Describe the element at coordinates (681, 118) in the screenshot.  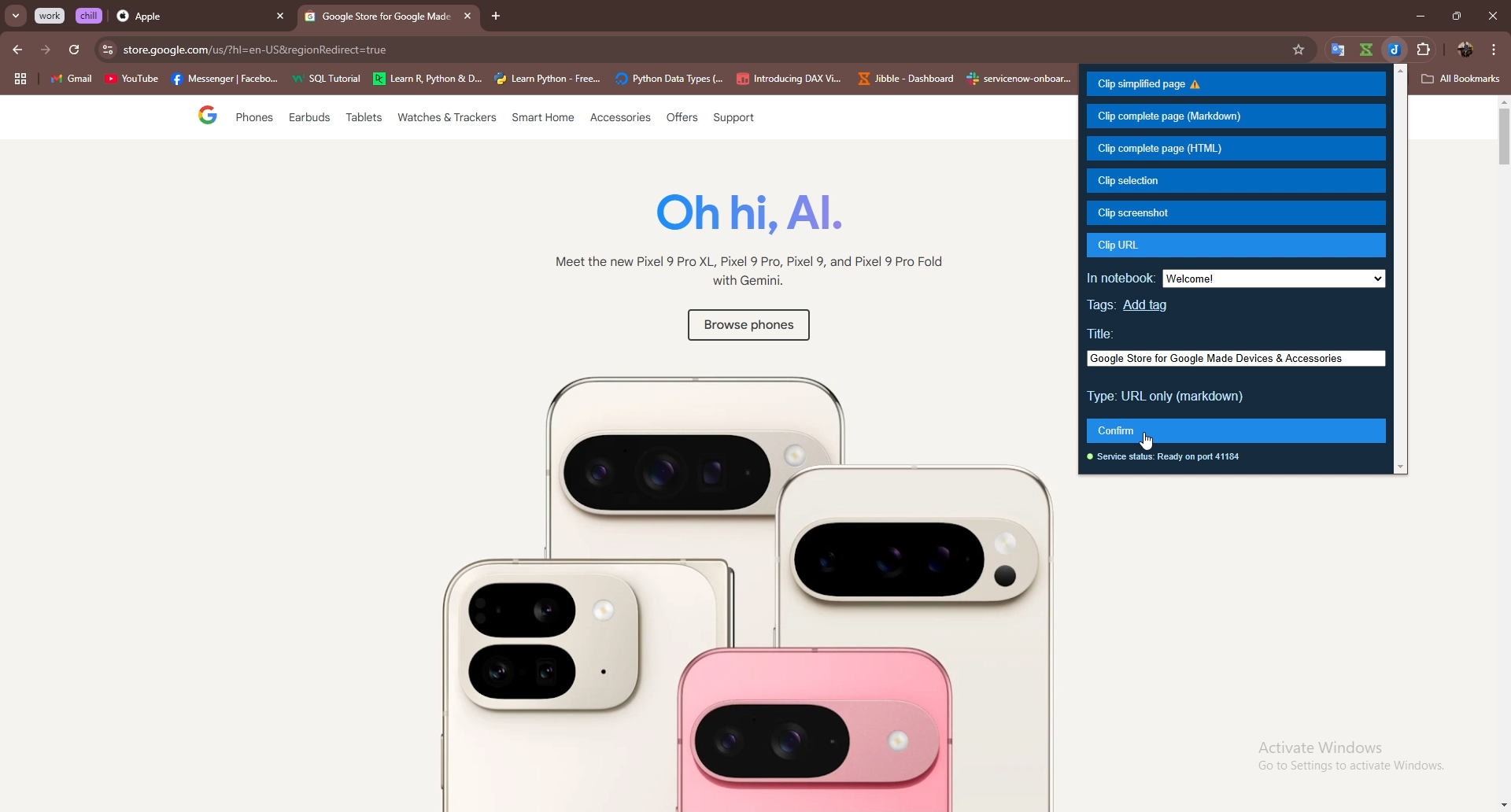
I see `Offers` at that location.